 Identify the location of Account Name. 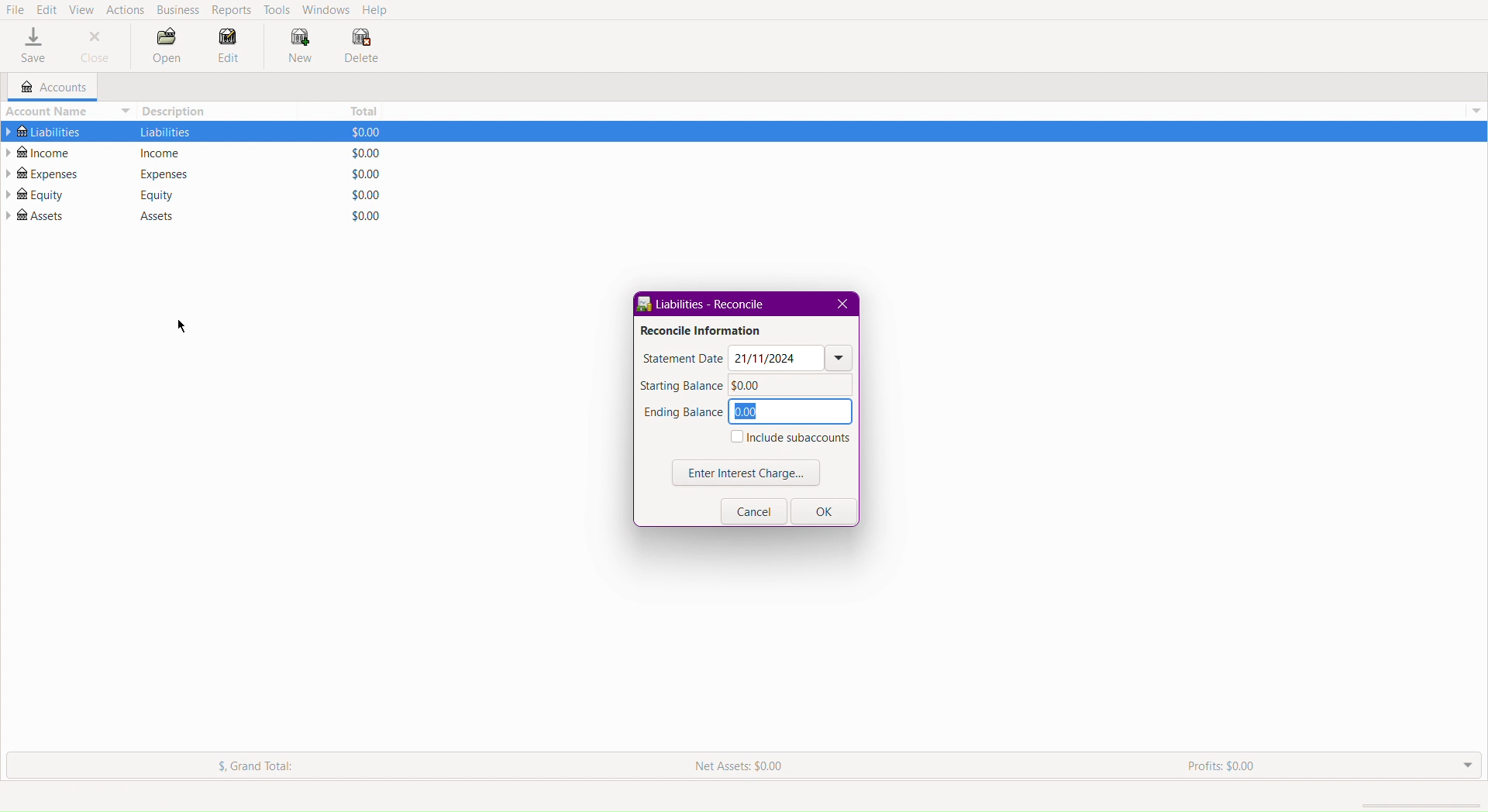
(69, 113).